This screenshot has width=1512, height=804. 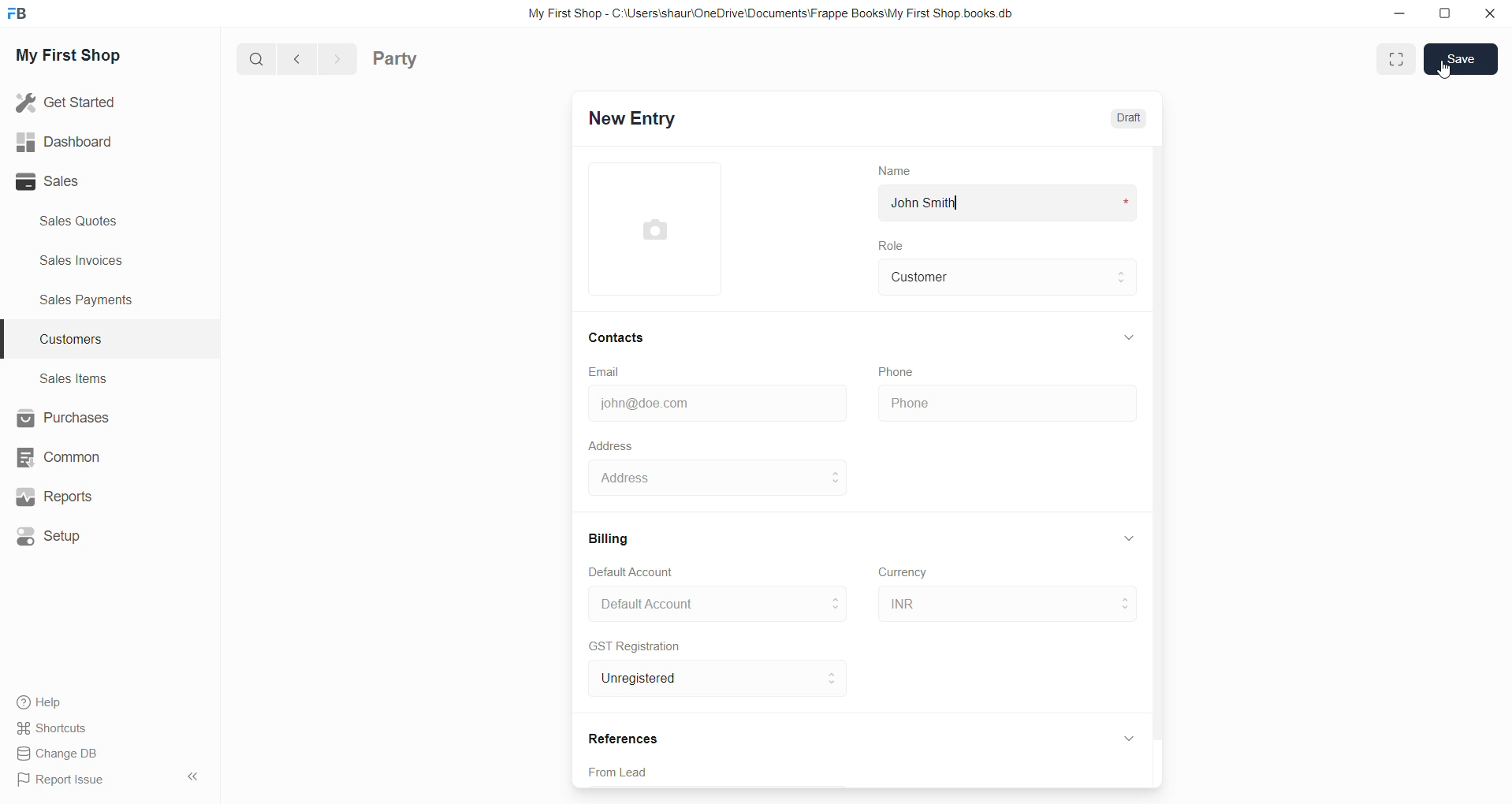 I want to click on Billing, so click(x=614, y=536).